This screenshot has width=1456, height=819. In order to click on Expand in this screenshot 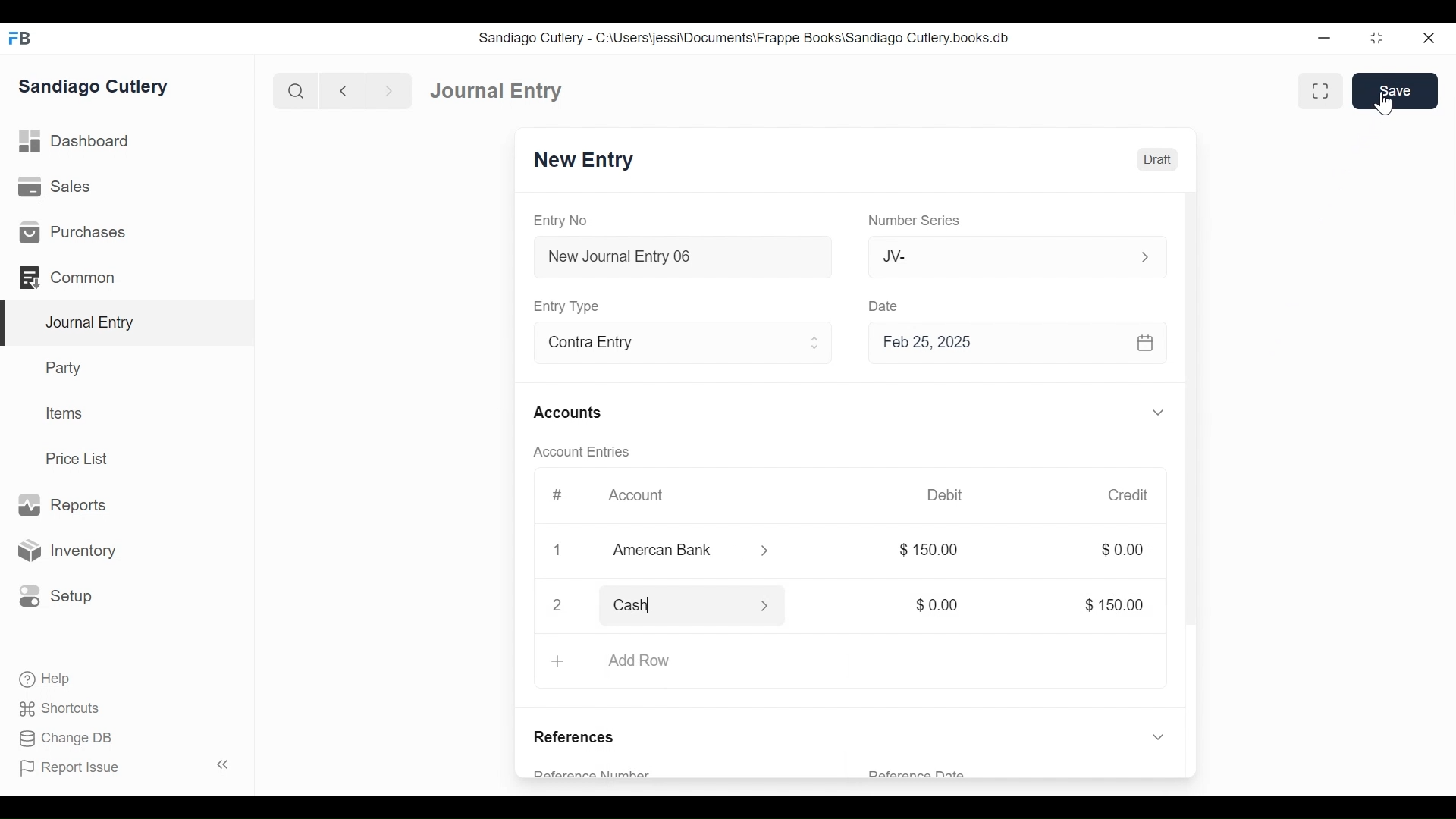, I will do `click(815, 343)`.